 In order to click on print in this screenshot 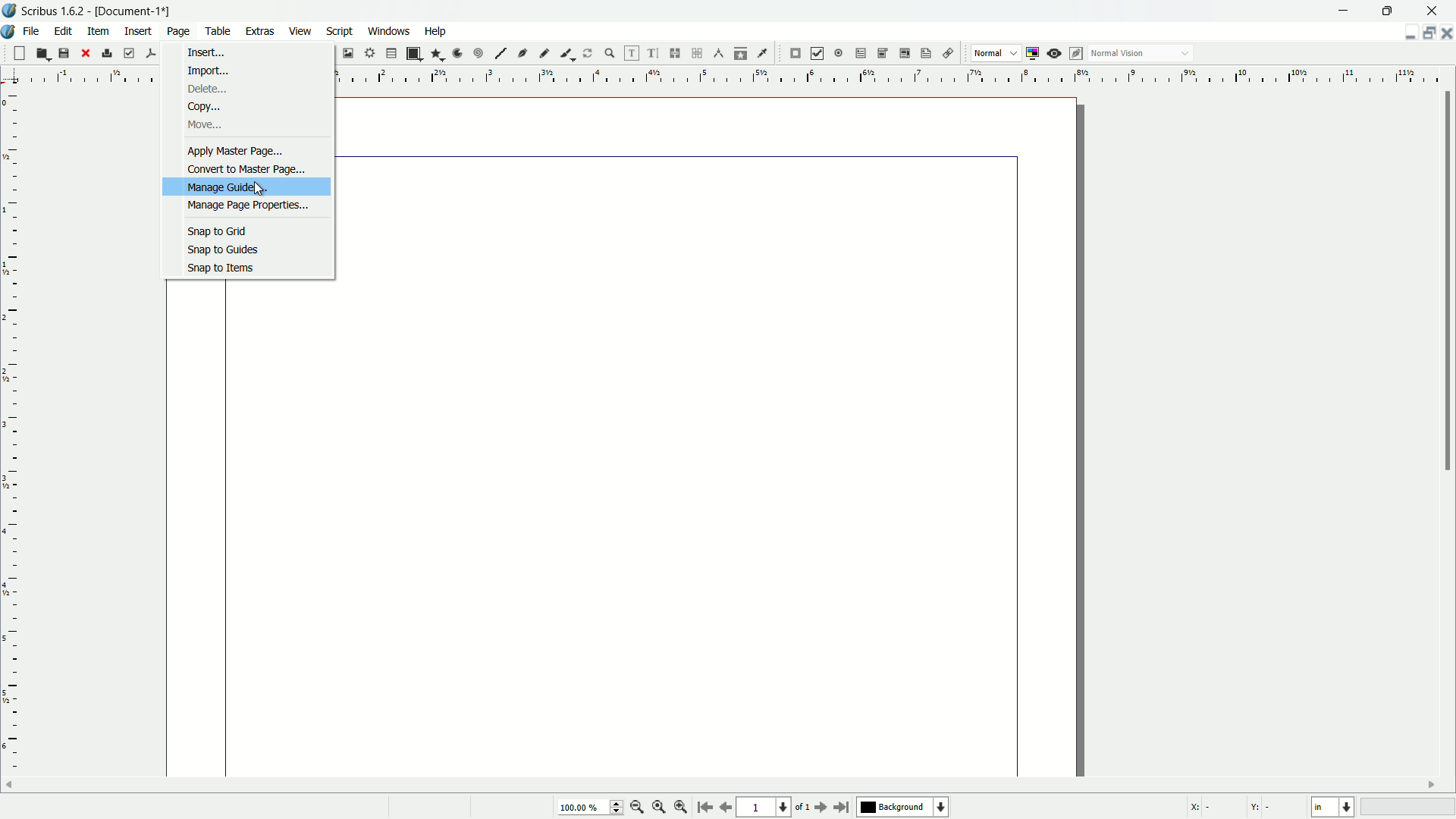, I will do `click(107, 53)`.